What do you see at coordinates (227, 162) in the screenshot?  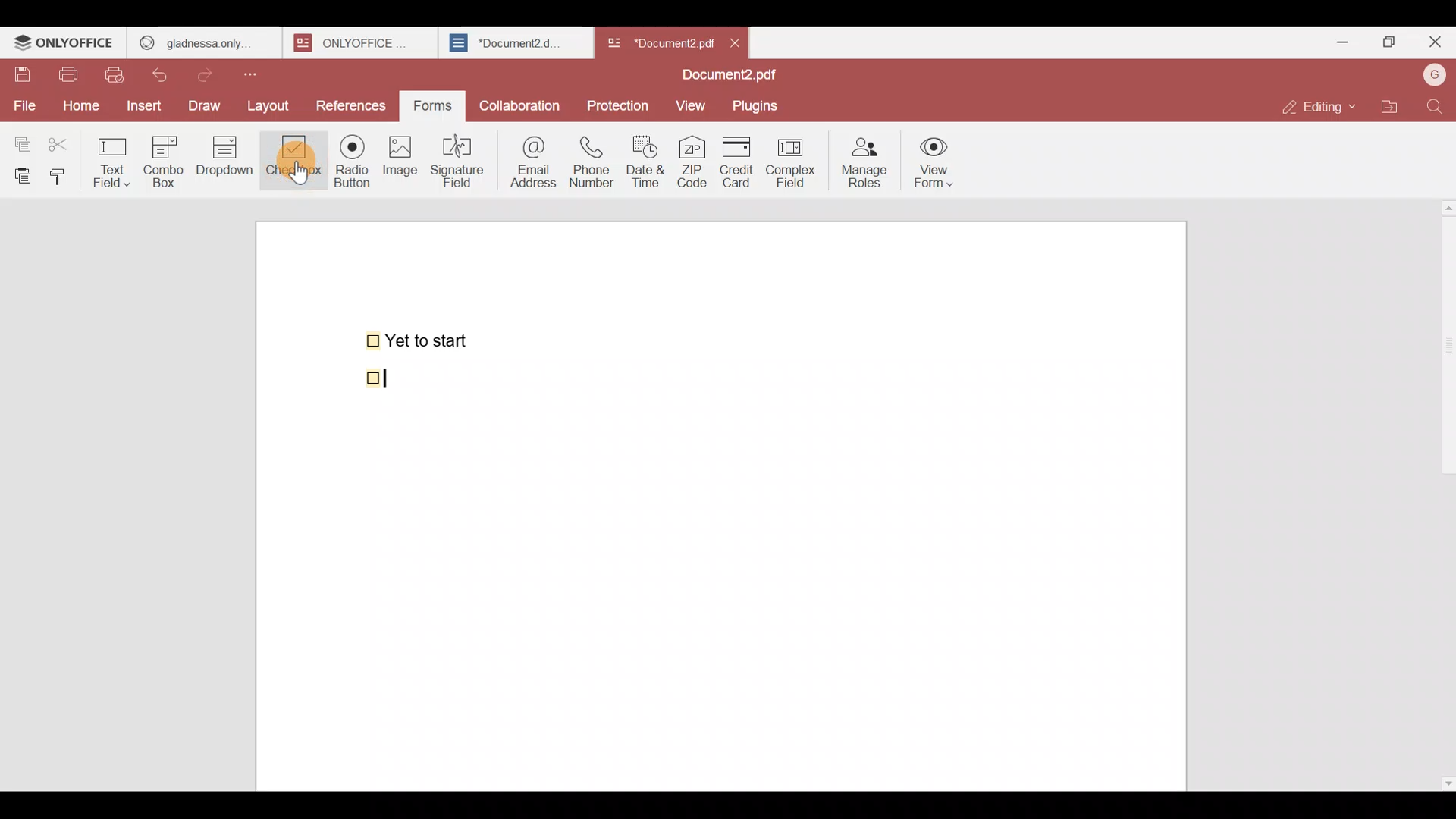 I see `Dropdown` at bounding box center [227, 162].